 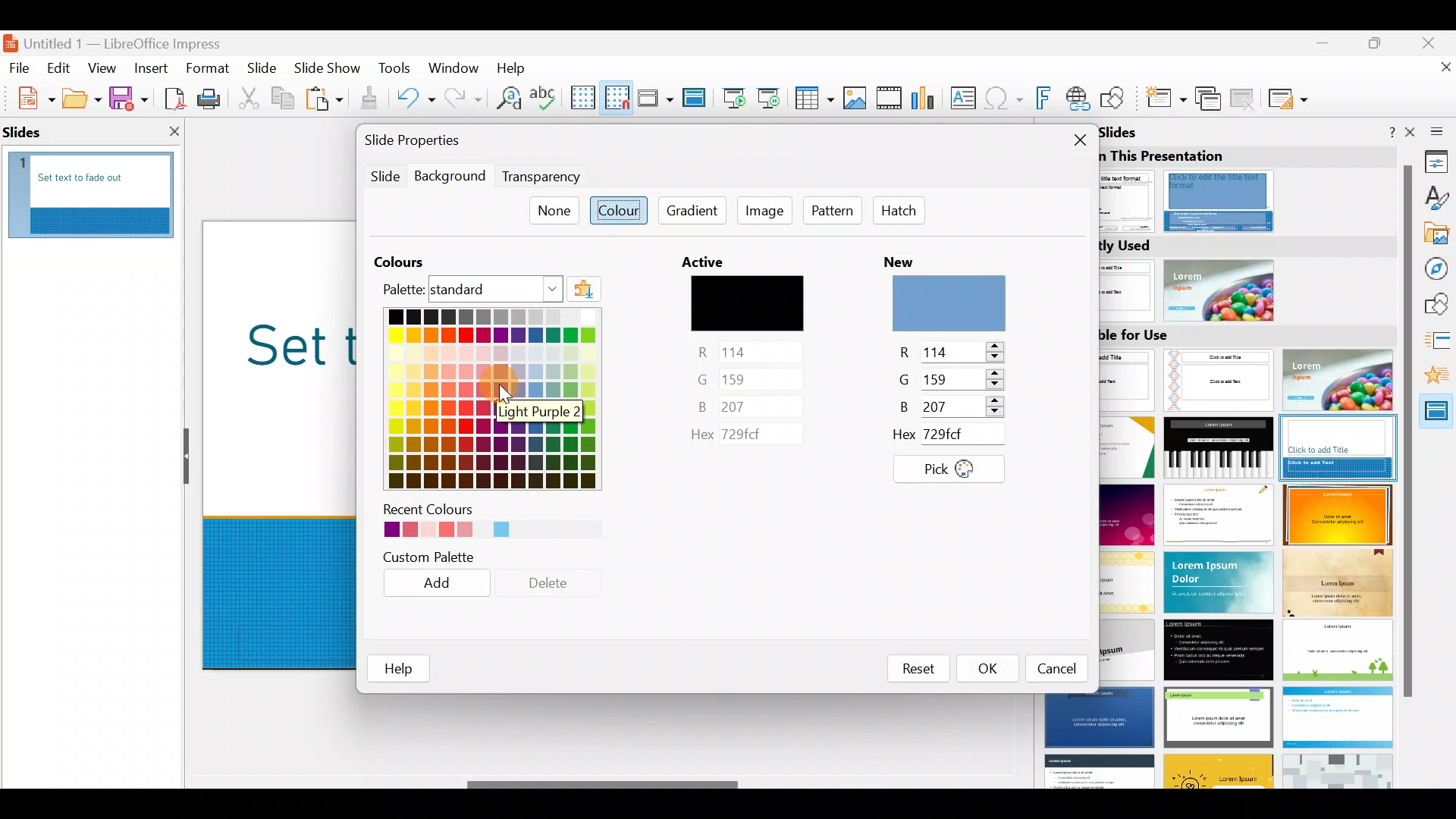 What do you see at coordinates (103, 67) in the screenshot?
I see `View` at bounding box center [103, 67].